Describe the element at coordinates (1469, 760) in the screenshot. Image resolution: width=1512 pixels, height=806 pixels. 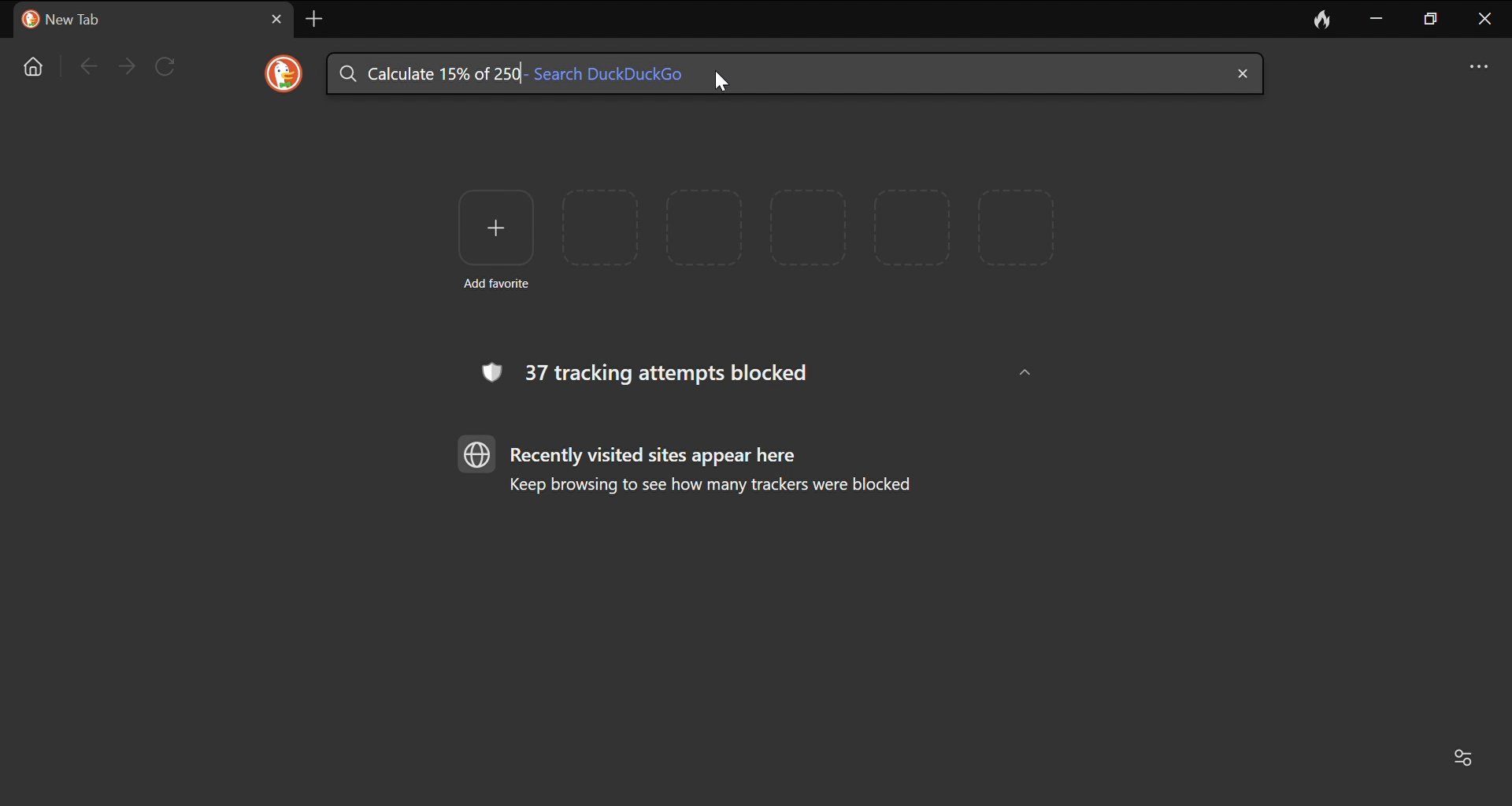
I see `Customize` at that location.